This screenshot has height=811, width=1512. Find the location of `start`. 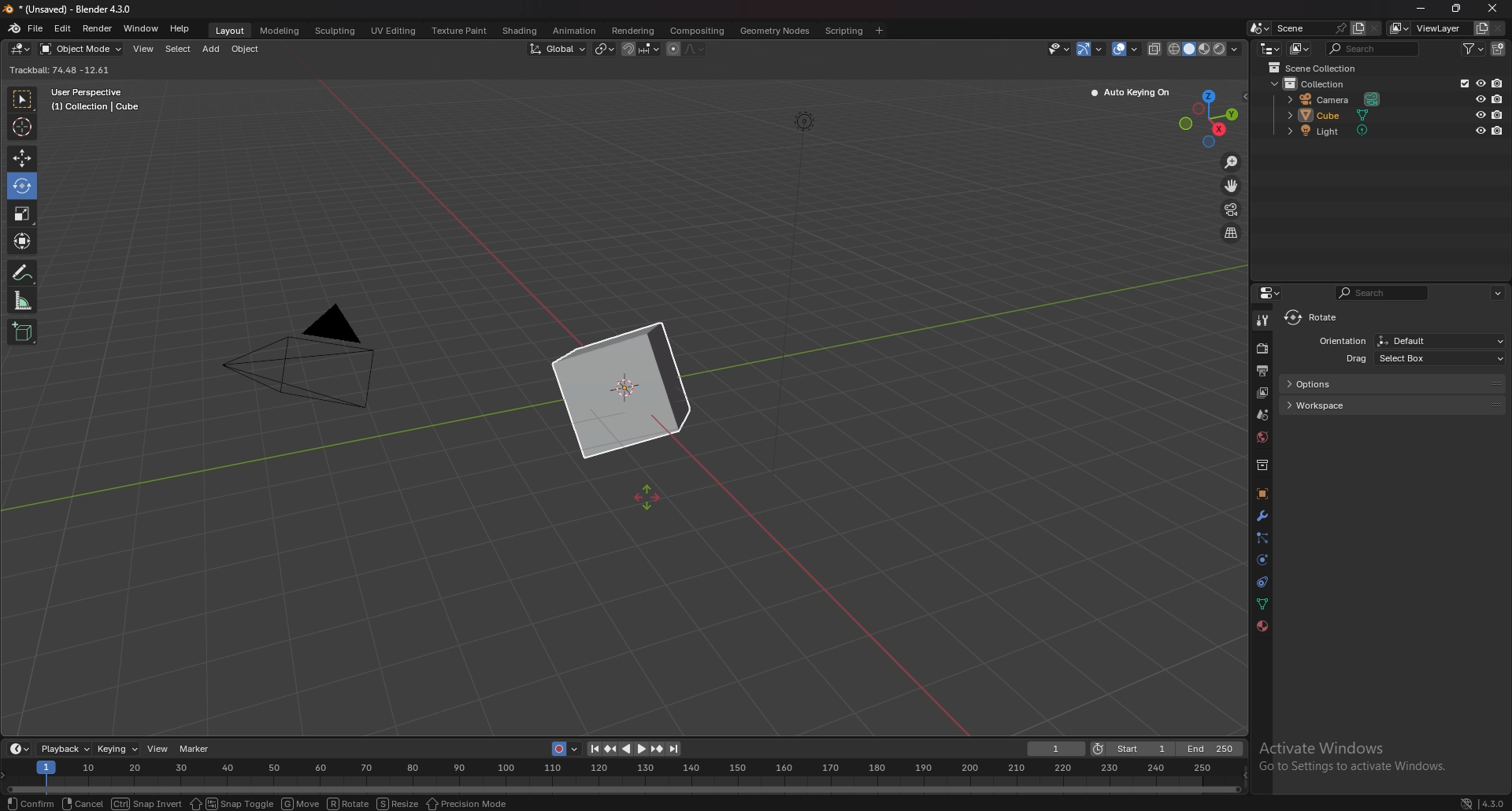

start is located at coordinates (1133, 749).